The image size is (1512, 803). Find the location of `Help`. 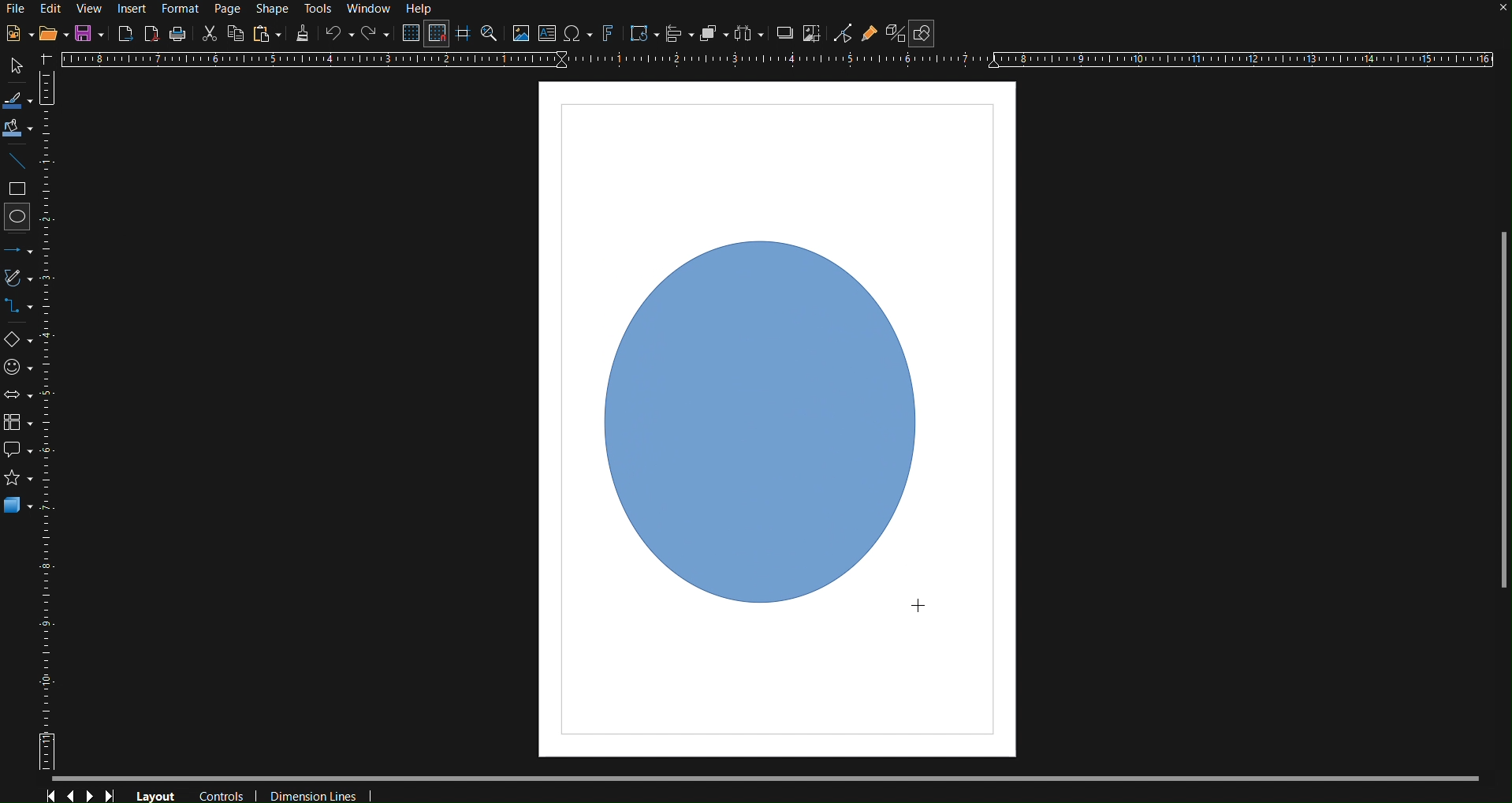

Help is located at coordinates (423, 9).